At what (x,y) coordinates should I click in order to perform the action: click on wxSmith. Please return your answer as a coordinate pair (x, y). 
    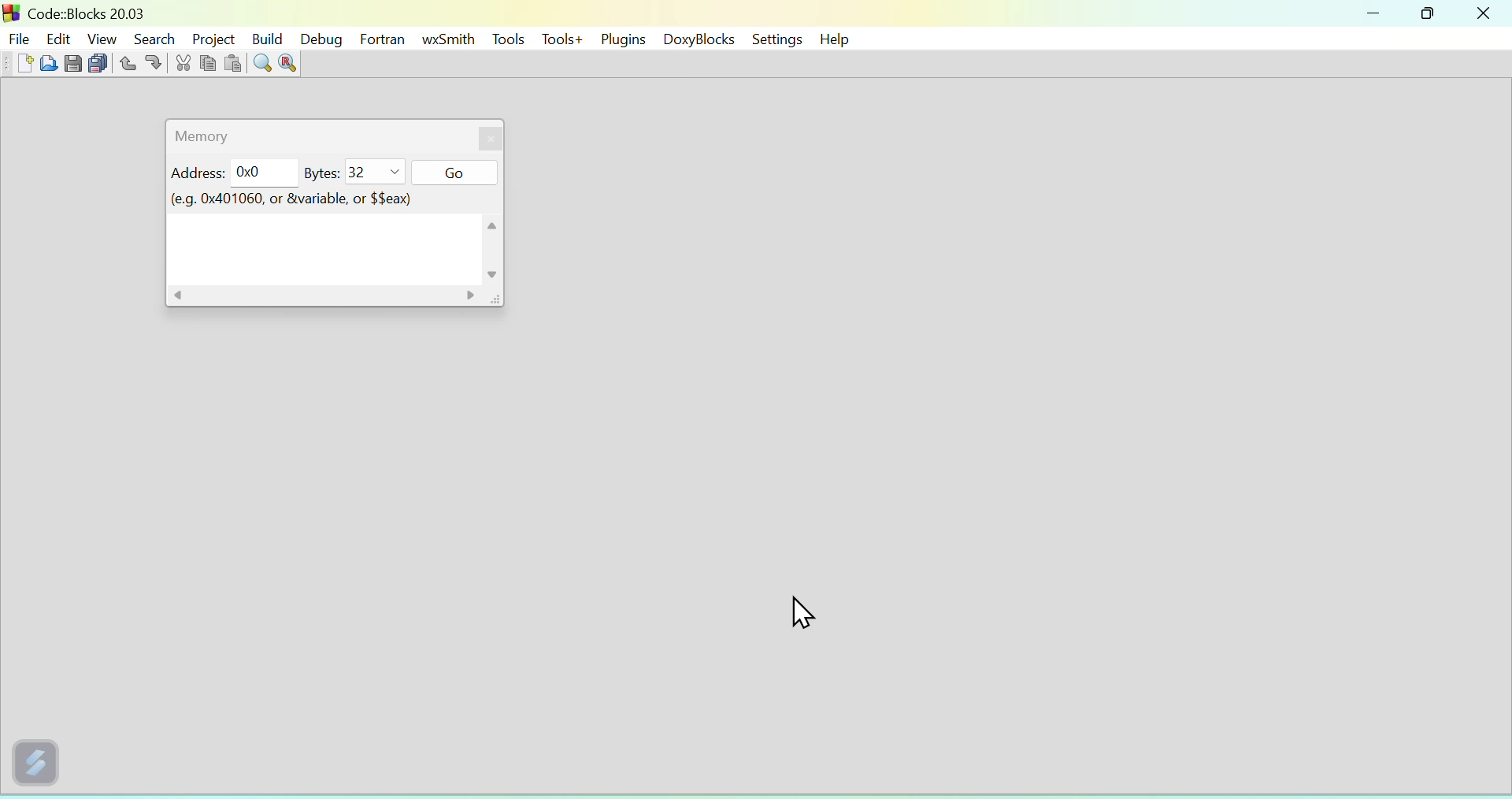
    Looking at the image, I should click on (446, 39).